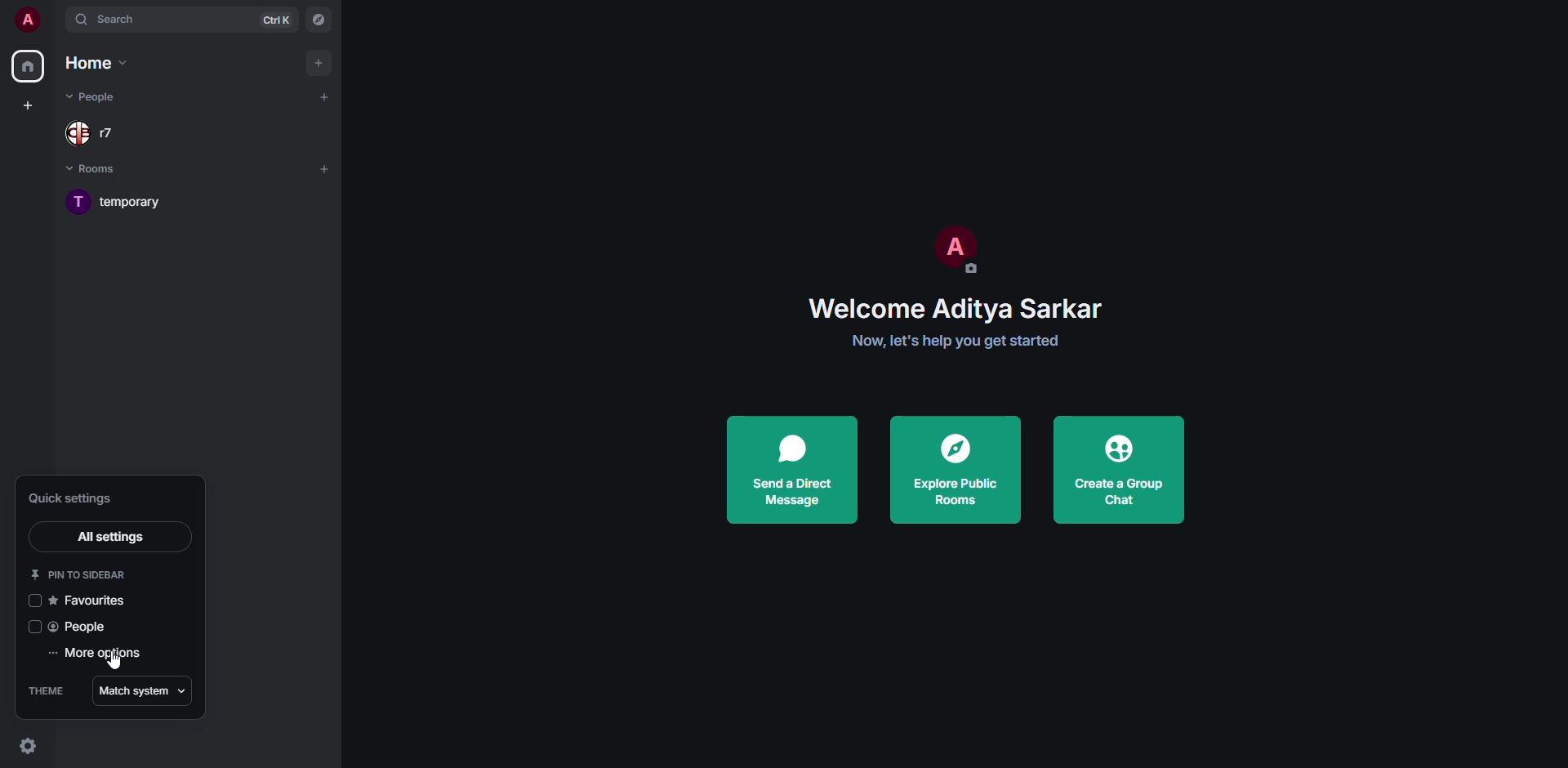 The height and width of the screenshot is (768, 1568). I want to click on home, so click(26, 66).